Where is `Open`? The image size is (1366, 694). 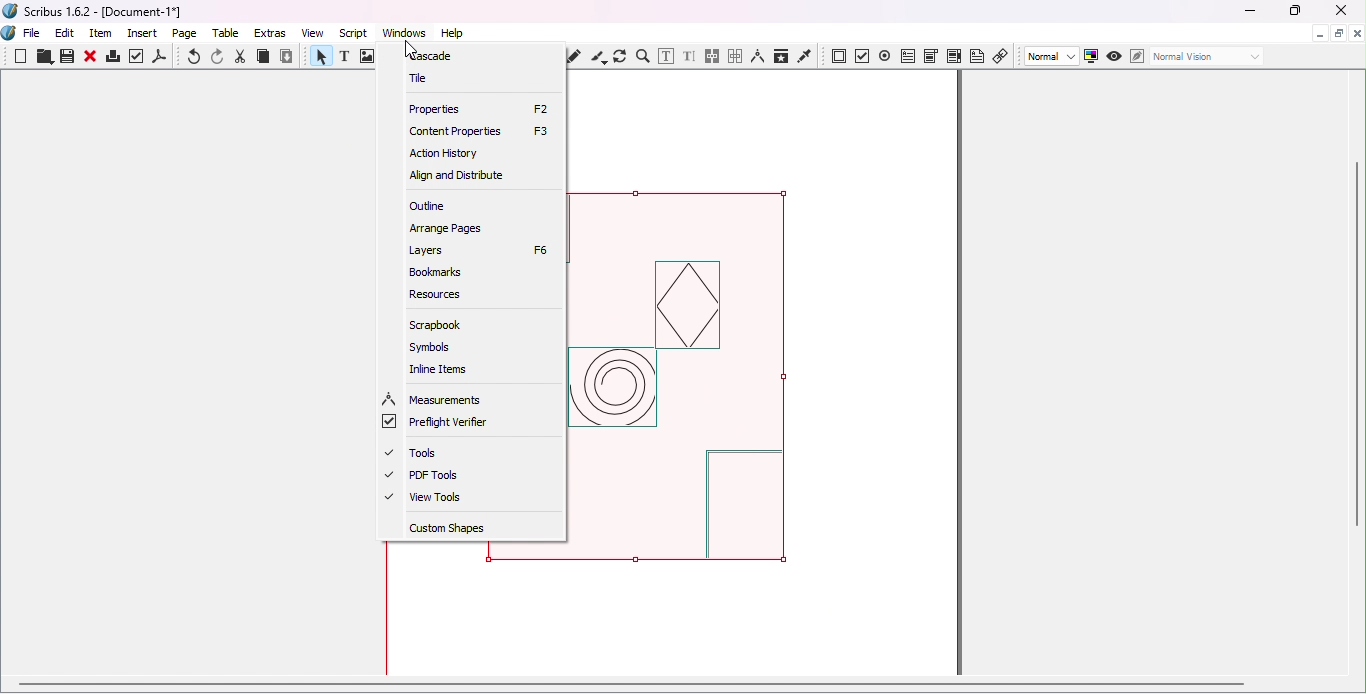
Open is located at coordinates (42, 58).